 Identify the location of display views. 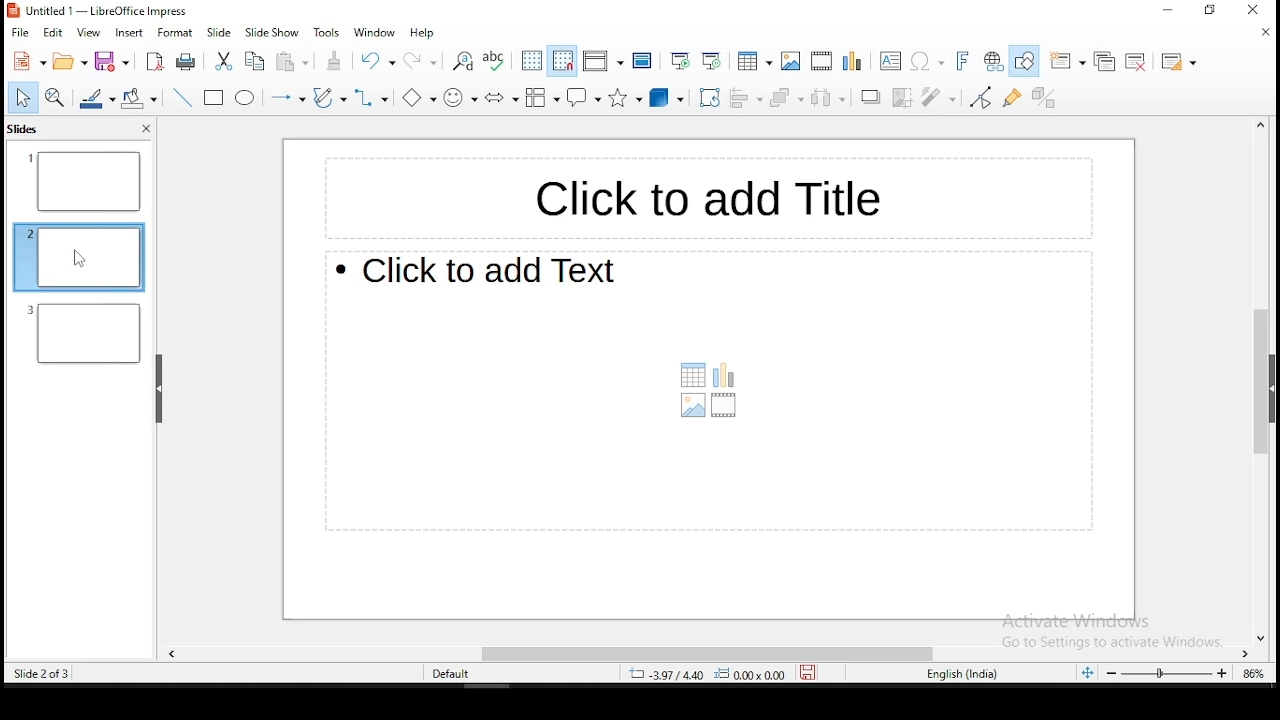
(602, 59).